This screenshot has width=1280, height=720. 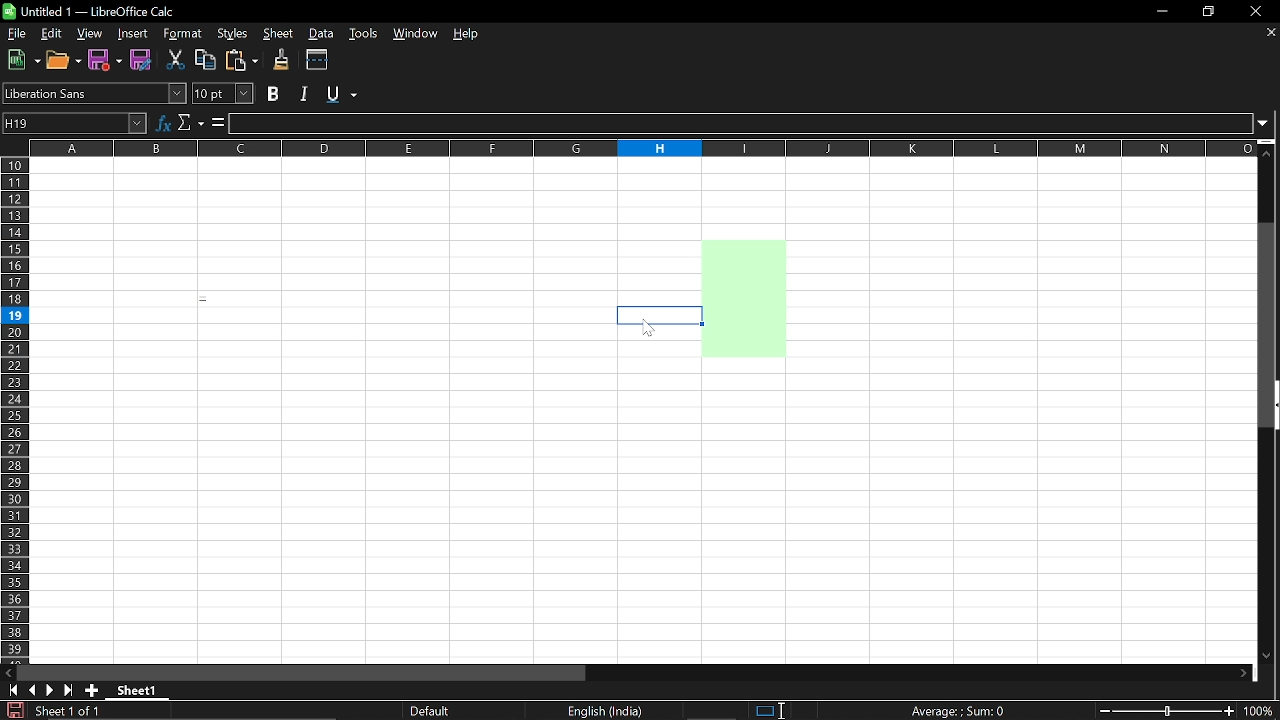 What do you see at coordinates (20, 61) in the screenshot?
I see `New` at bounding box center [20, 61].